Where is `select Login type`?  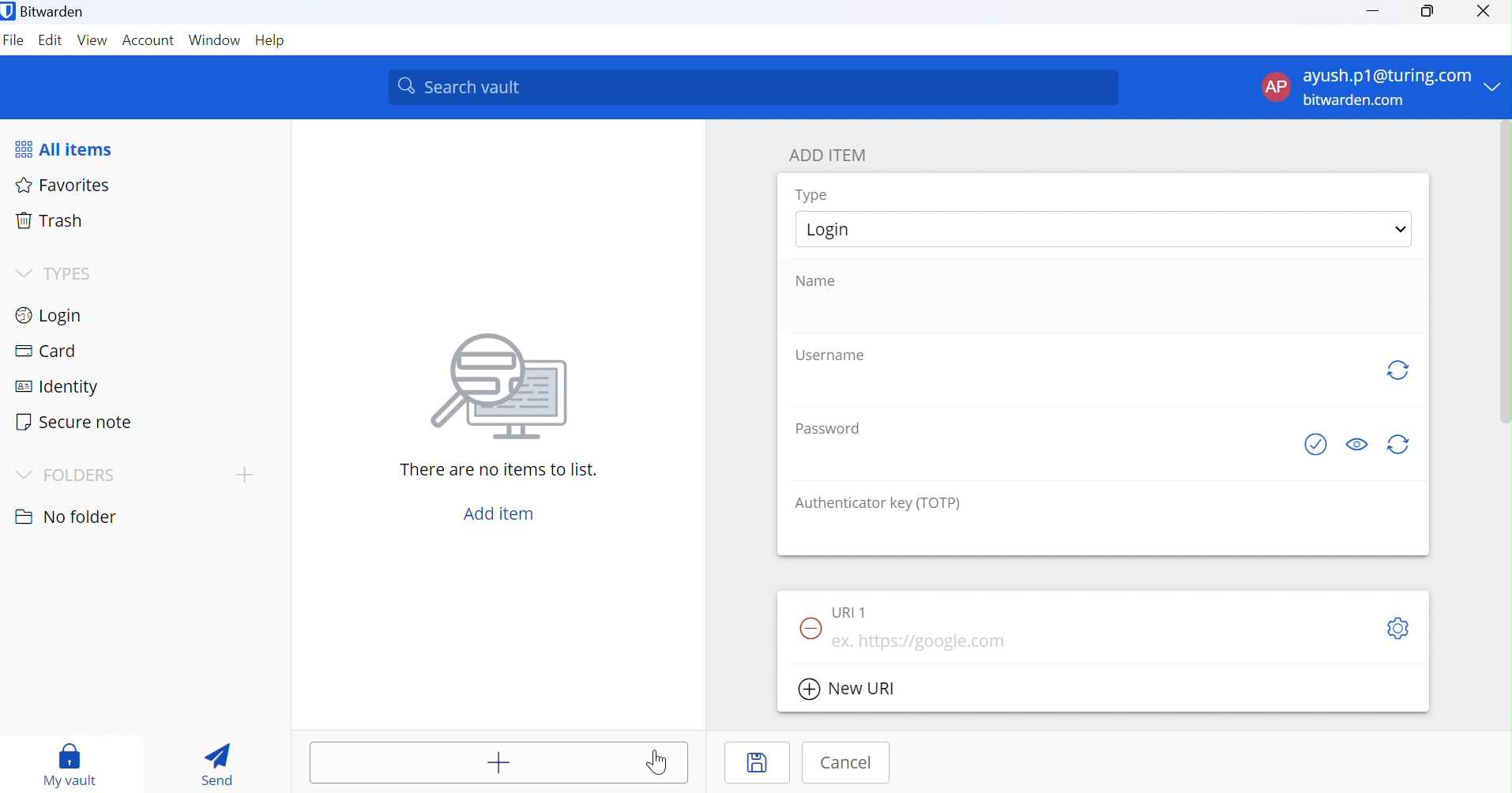
select Login type is located at coordinates (1104, 228).